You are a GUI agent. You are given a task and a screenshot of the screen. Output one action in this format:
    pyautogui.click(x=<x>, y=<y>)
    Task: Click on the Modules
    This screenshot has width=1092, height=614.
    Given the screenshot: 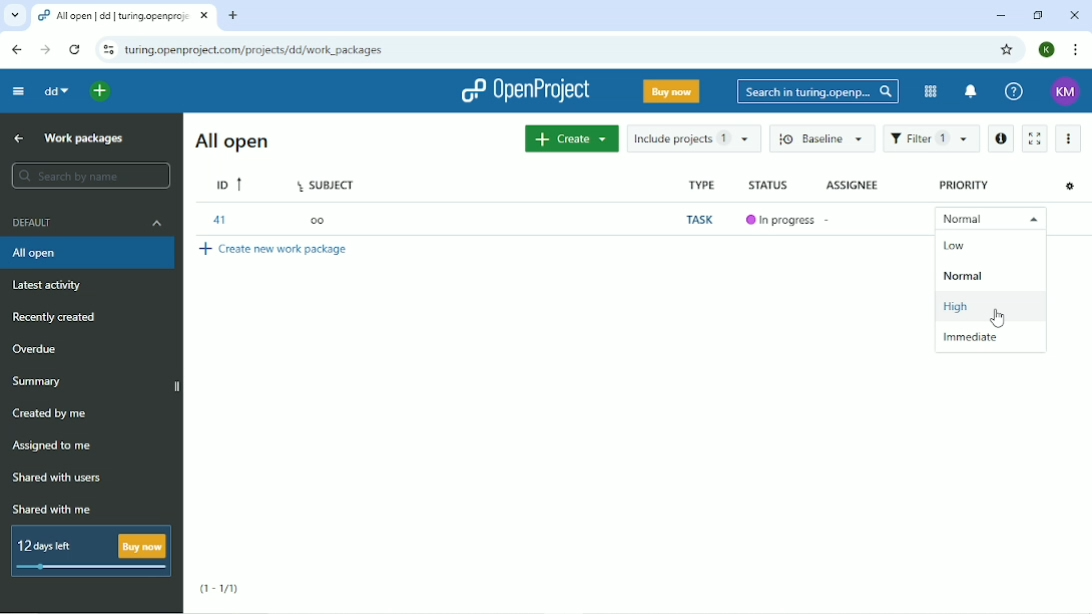 What is the action you would take?
    pyautogui.click(x=929, y=92)
    